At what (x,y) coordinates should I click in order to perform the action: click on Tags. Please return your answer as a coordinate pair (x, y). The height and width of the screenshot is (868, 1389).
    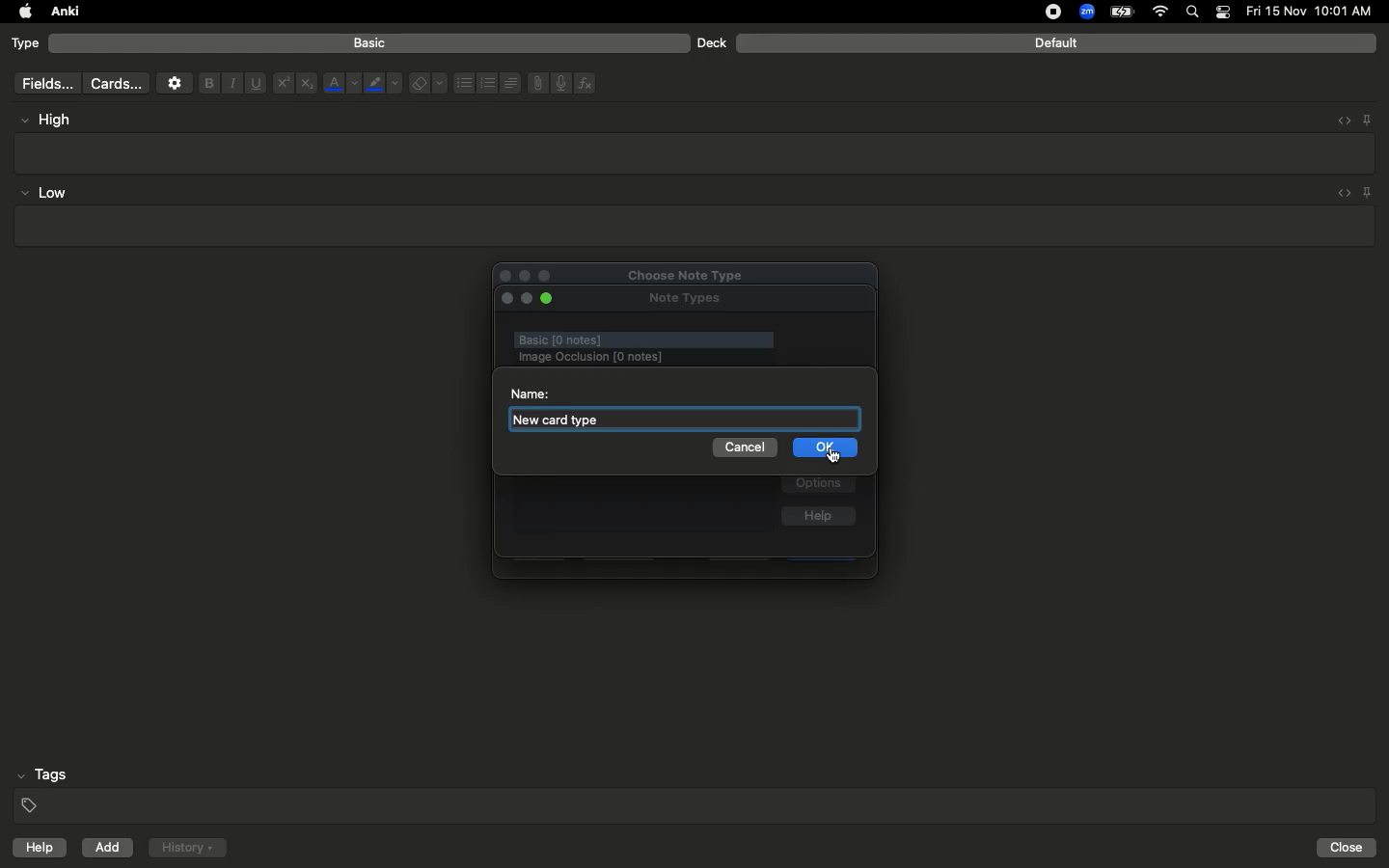
    Looking at the image, I should click on (696, 791).